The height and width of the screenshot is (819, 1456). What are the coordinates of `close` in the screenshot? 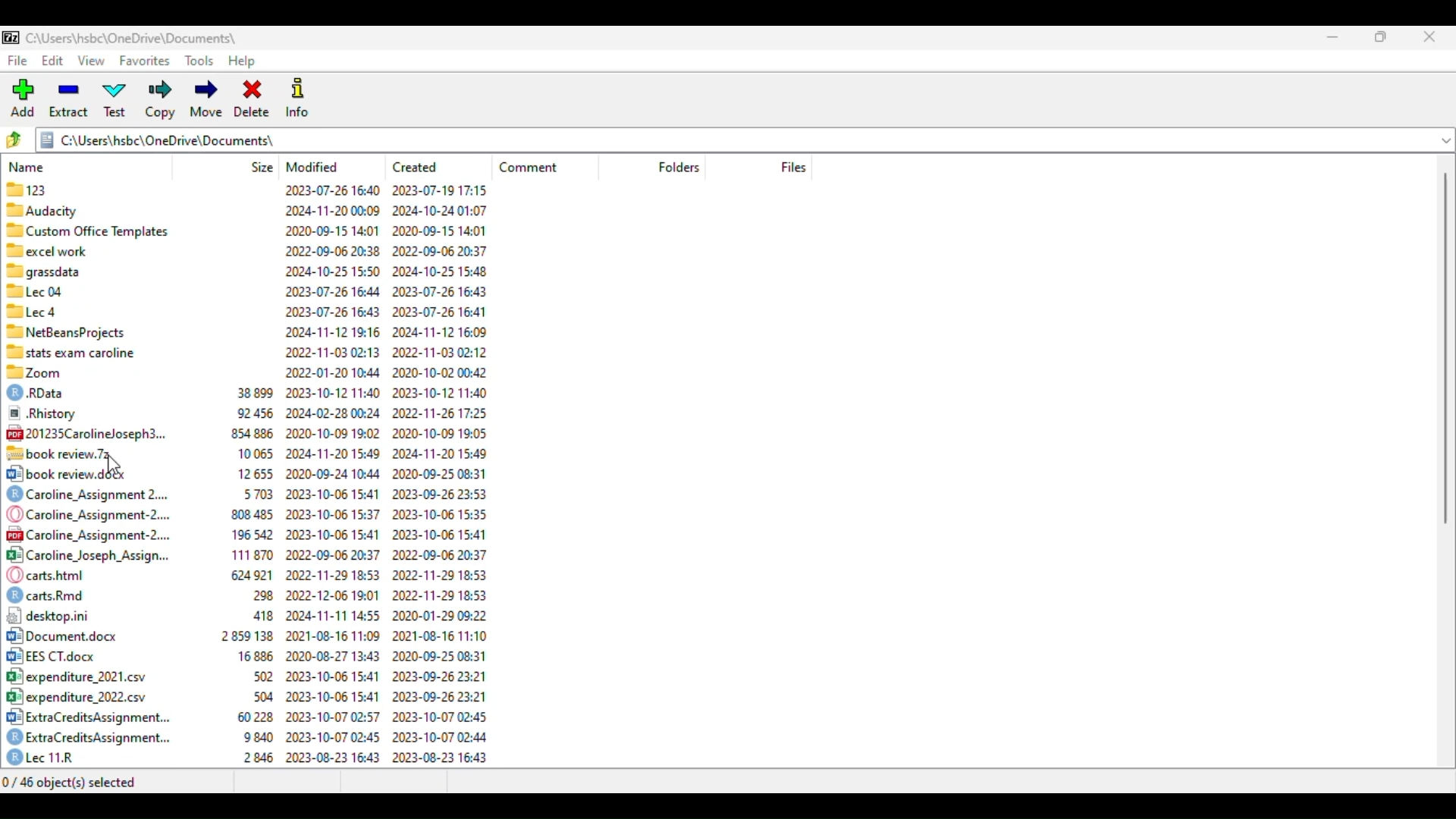 It's located at (1429, 37).